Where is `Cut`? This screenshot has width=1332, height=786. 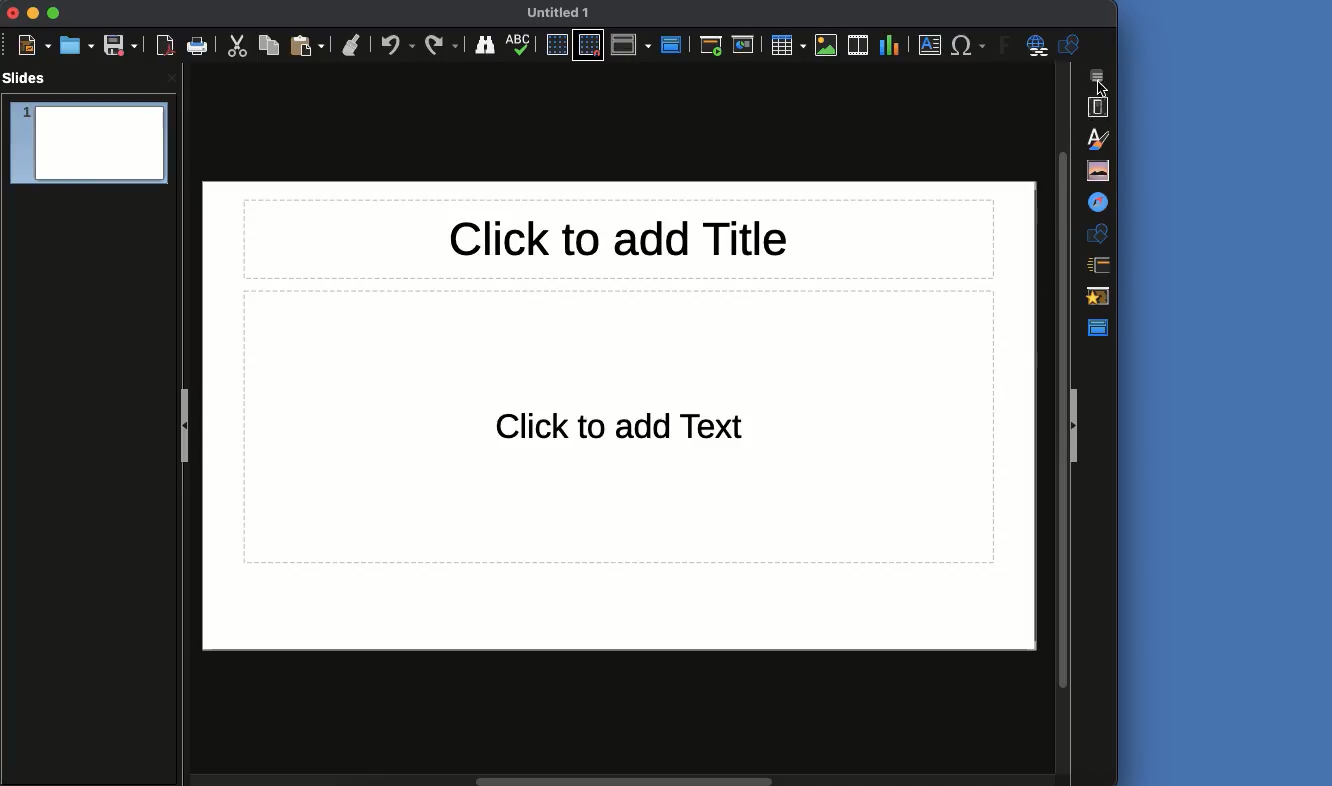 Cut is located at coordinates (235, 46).